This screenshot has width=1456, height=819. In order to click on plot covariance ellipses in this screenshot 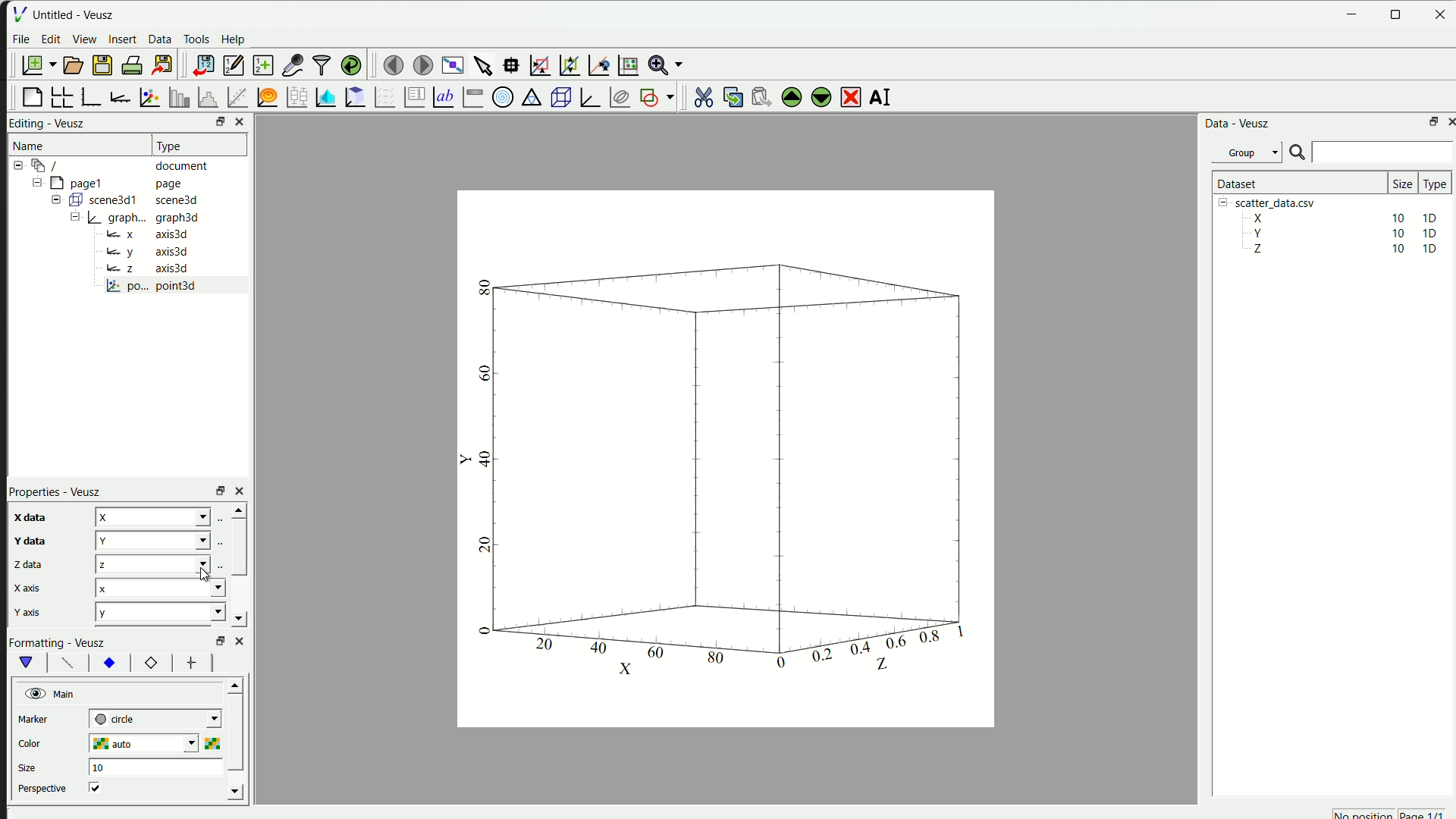, I will do `click(617, 96)`.